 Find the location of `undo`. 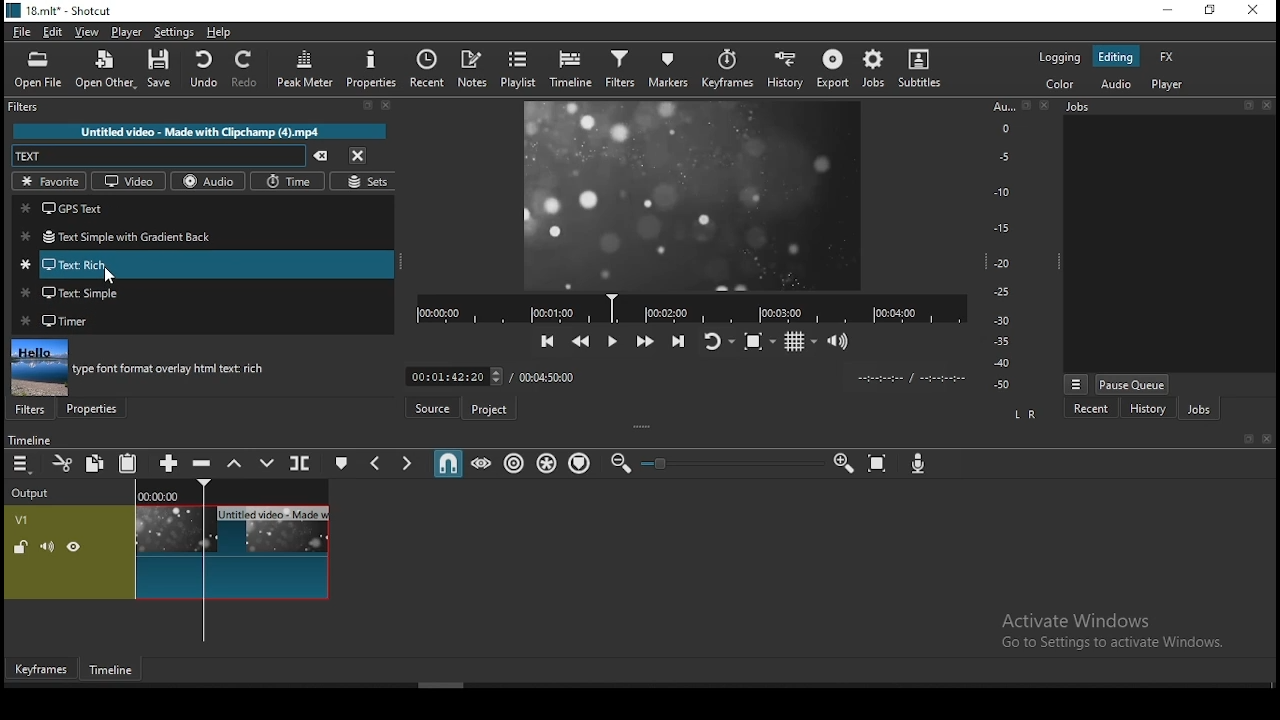

undo is located at coordinates (203, 69).